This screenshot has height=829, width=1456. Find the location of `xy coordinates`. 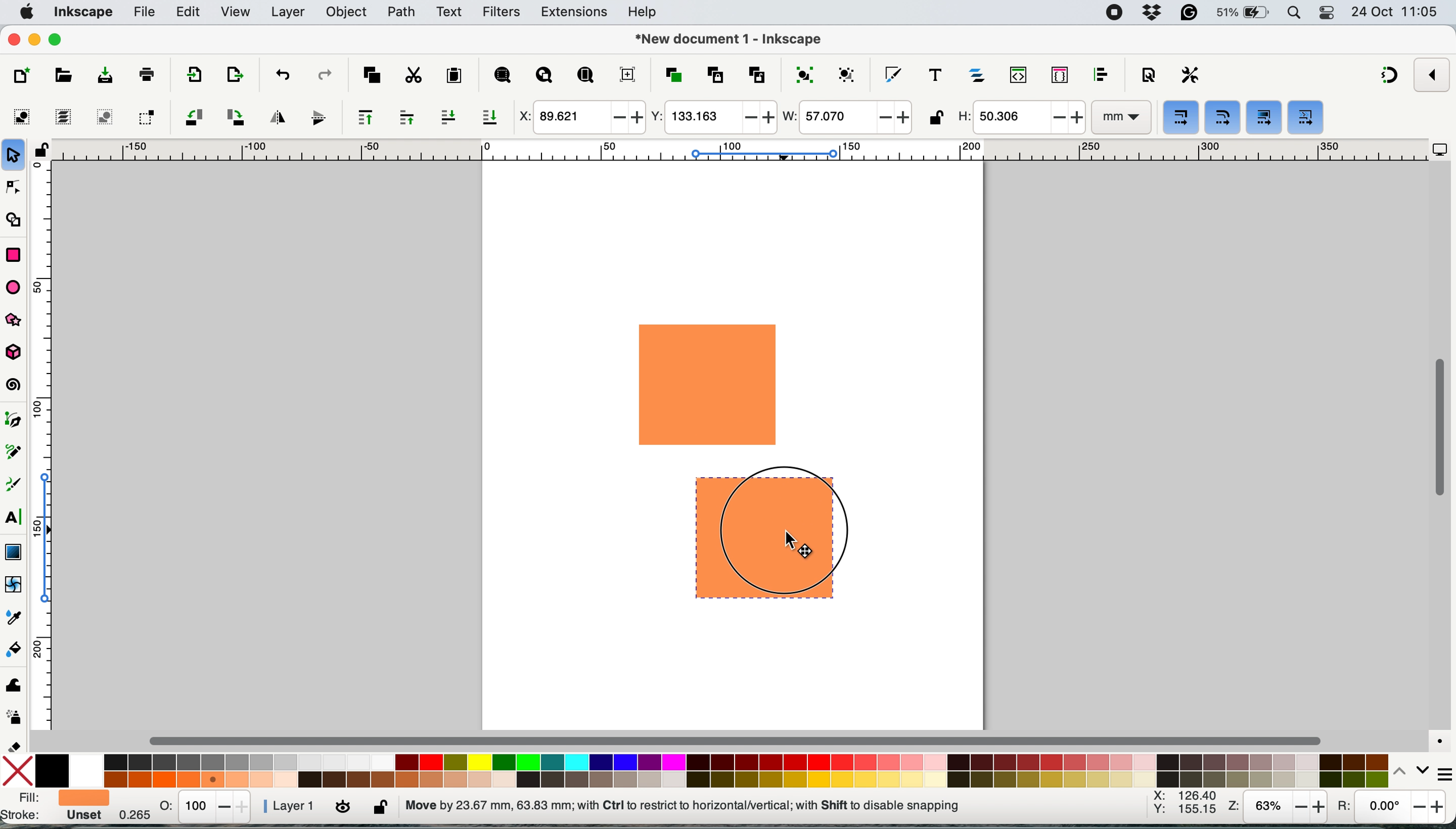

xy coordinates is located at coordinates (1184, 806).